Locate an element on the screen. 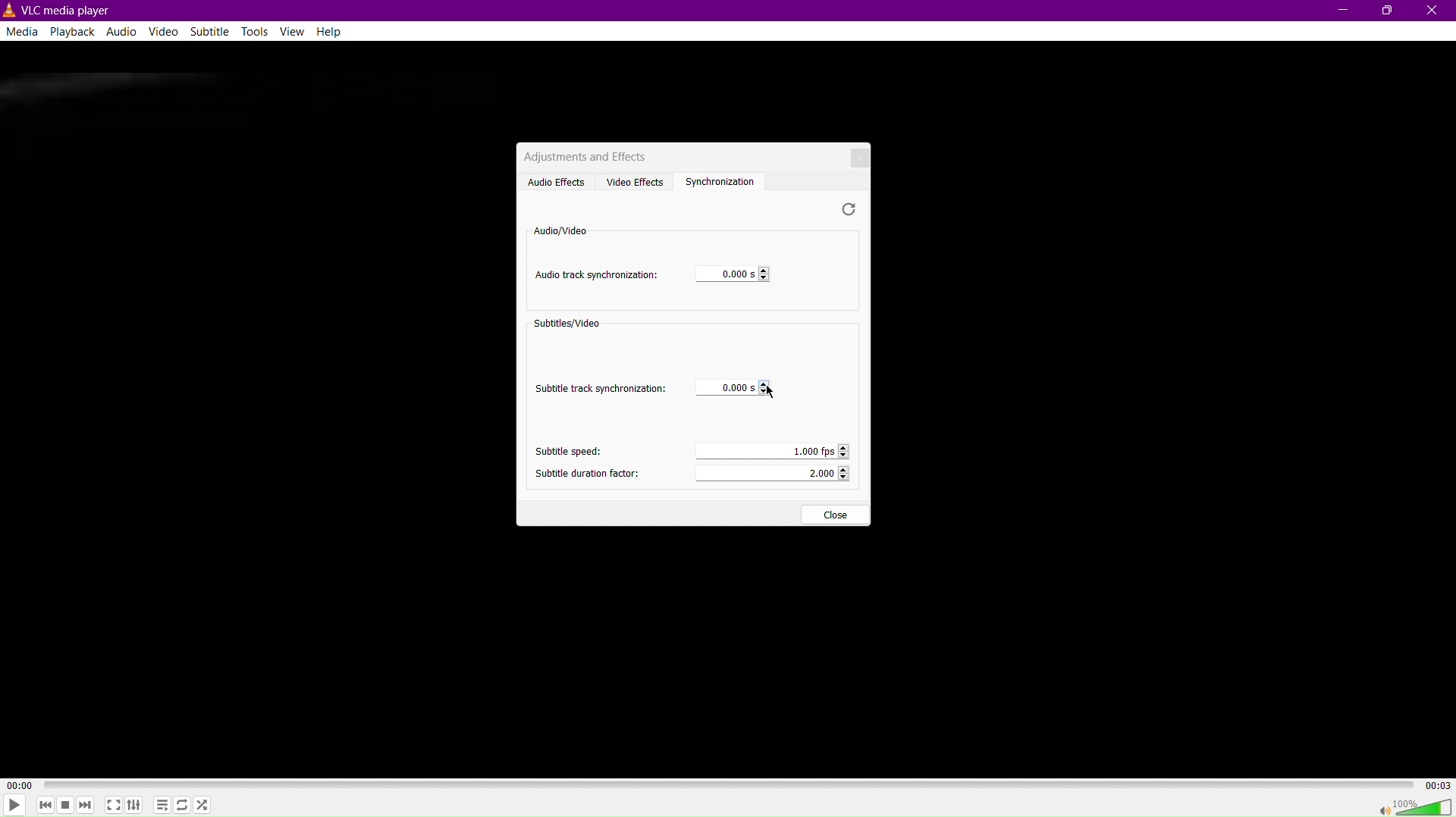 The width and height of the screenshot is (1456, 817). Stop is located at coordinates (66, 805).